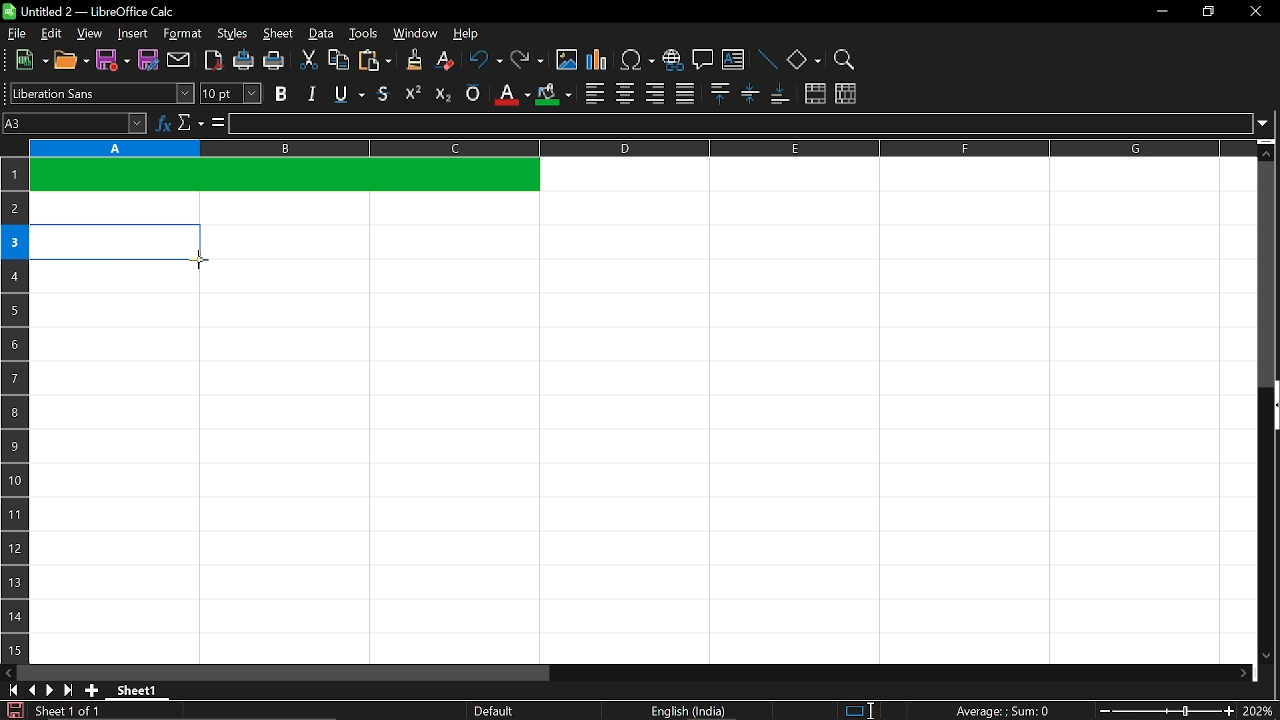 The width and height of the screenshot is (1280, 720). I want to click on cut, so click(310, 60).